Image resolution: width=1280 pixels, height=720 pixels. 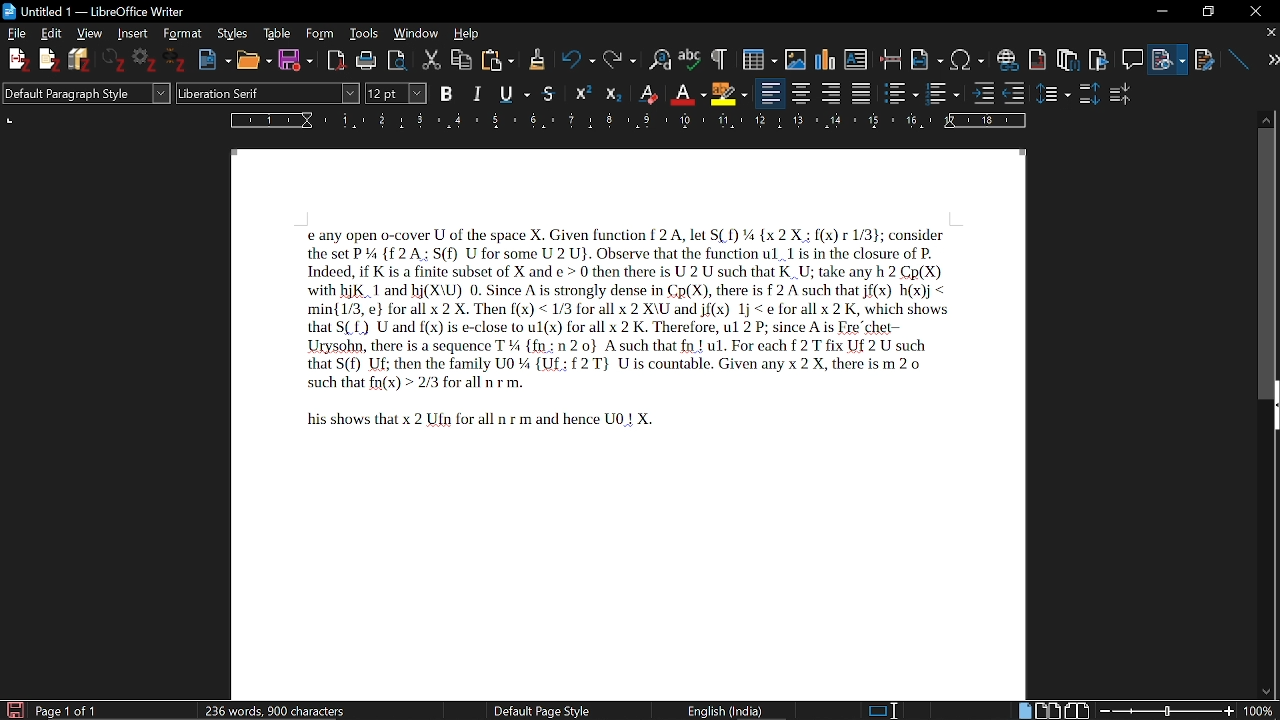 What do you see at coordinates (512, 91) in the screenshot?
I see `Underline options` at bounding box center [512, 91].